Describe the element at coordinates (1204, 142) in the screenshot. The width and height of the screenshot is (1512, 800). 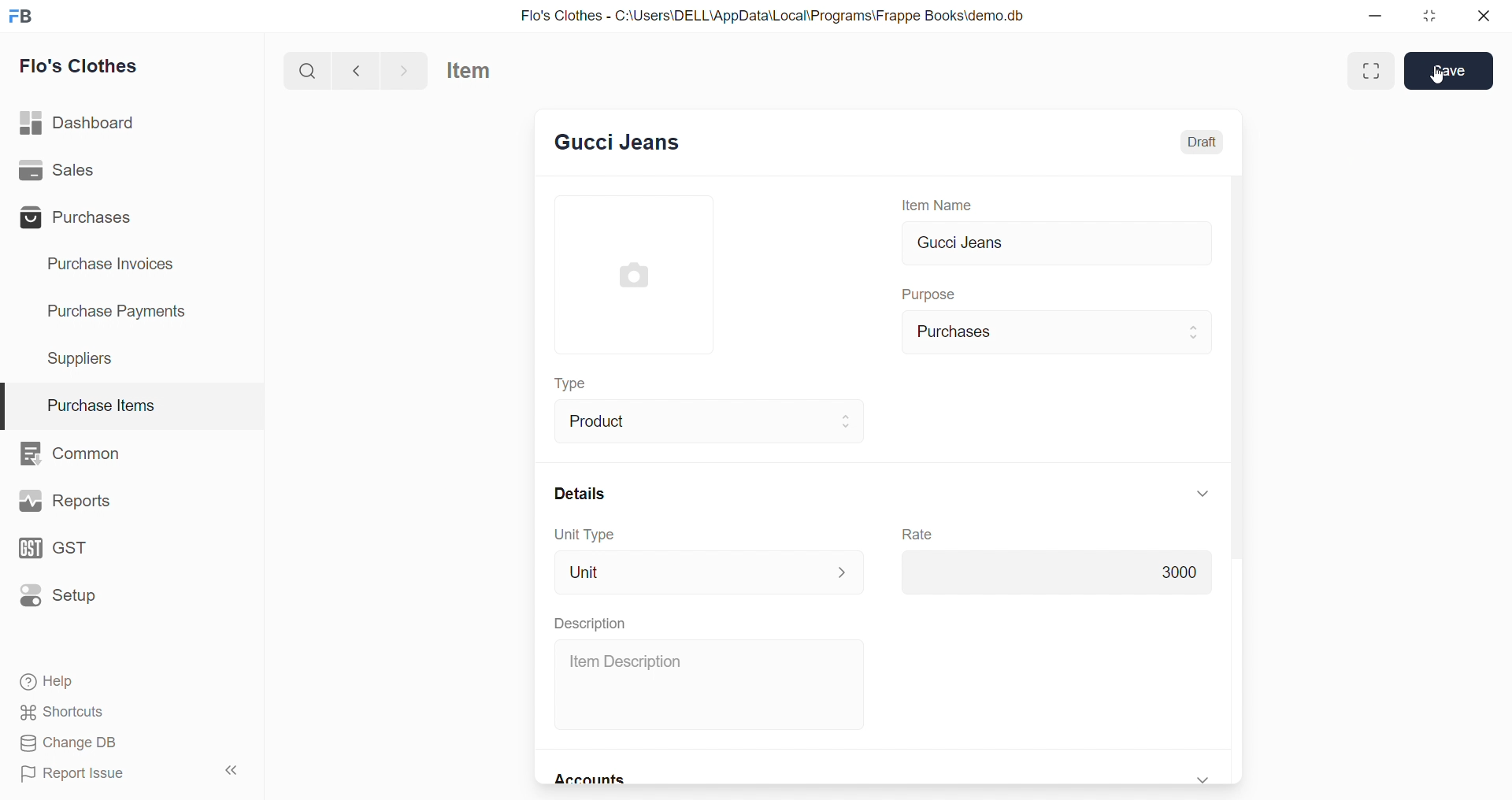
I see `Draft` at that location.